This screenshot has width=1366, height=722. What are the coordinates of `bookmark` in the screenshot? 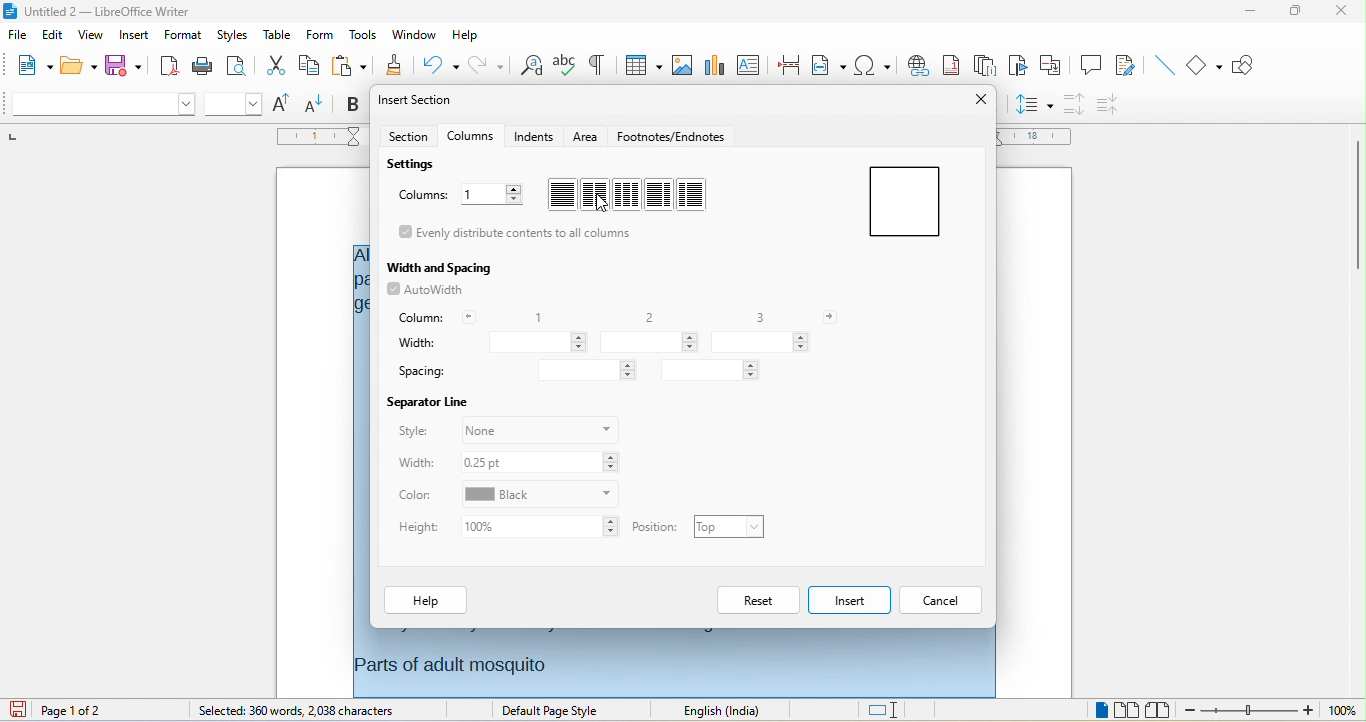 It's located at (1017, 68).